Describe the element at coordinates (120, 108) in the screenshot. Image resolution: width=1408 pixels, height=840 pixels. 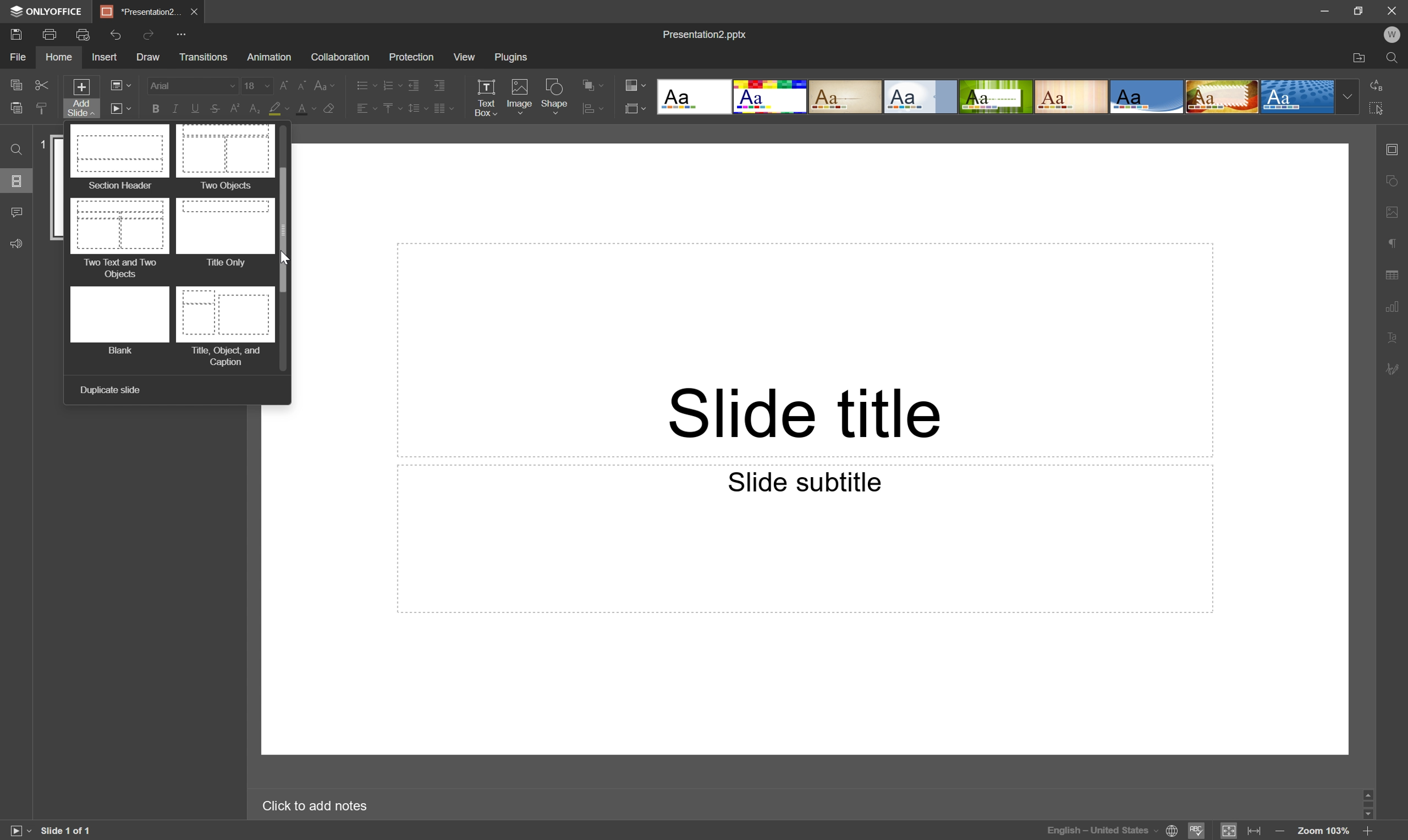
I see `Start slideshow` at that location.